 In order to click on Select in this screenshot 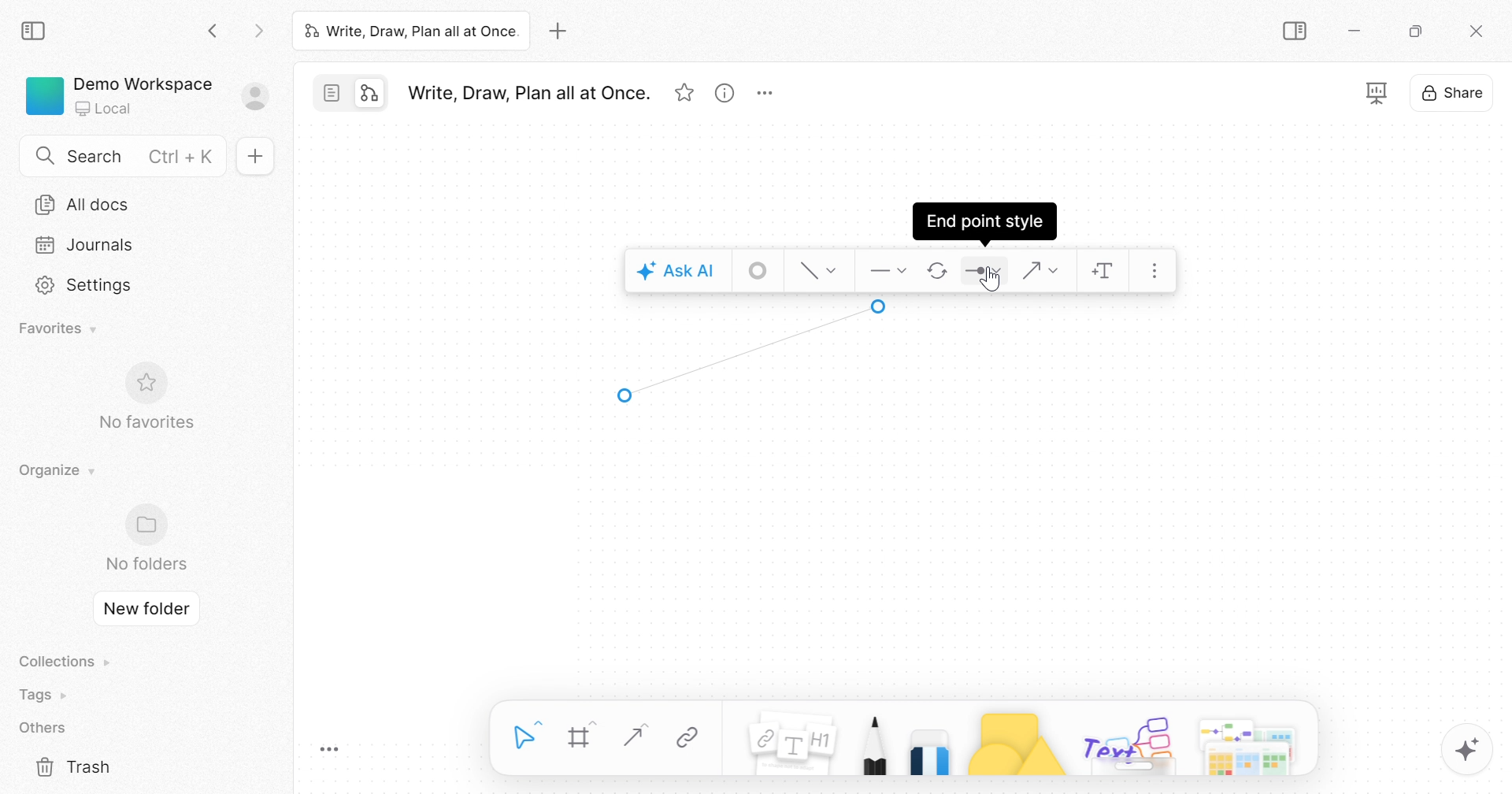, I will do `click(527, 736)`.